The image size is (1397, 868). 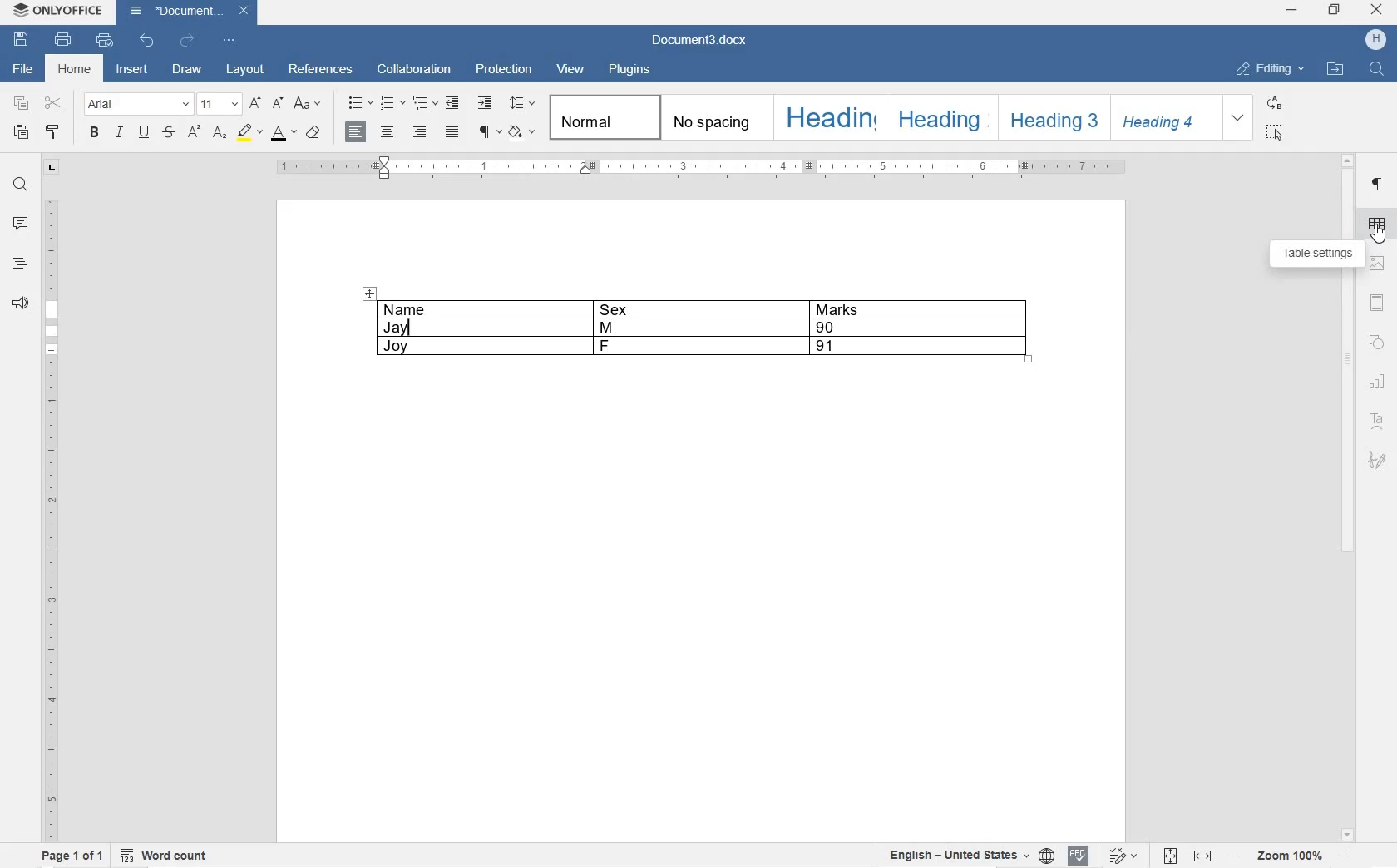 What do you see at coordinates (1335, 10) in the screenshot?
I see `RESTORE` at bounding box center [1335, 10].